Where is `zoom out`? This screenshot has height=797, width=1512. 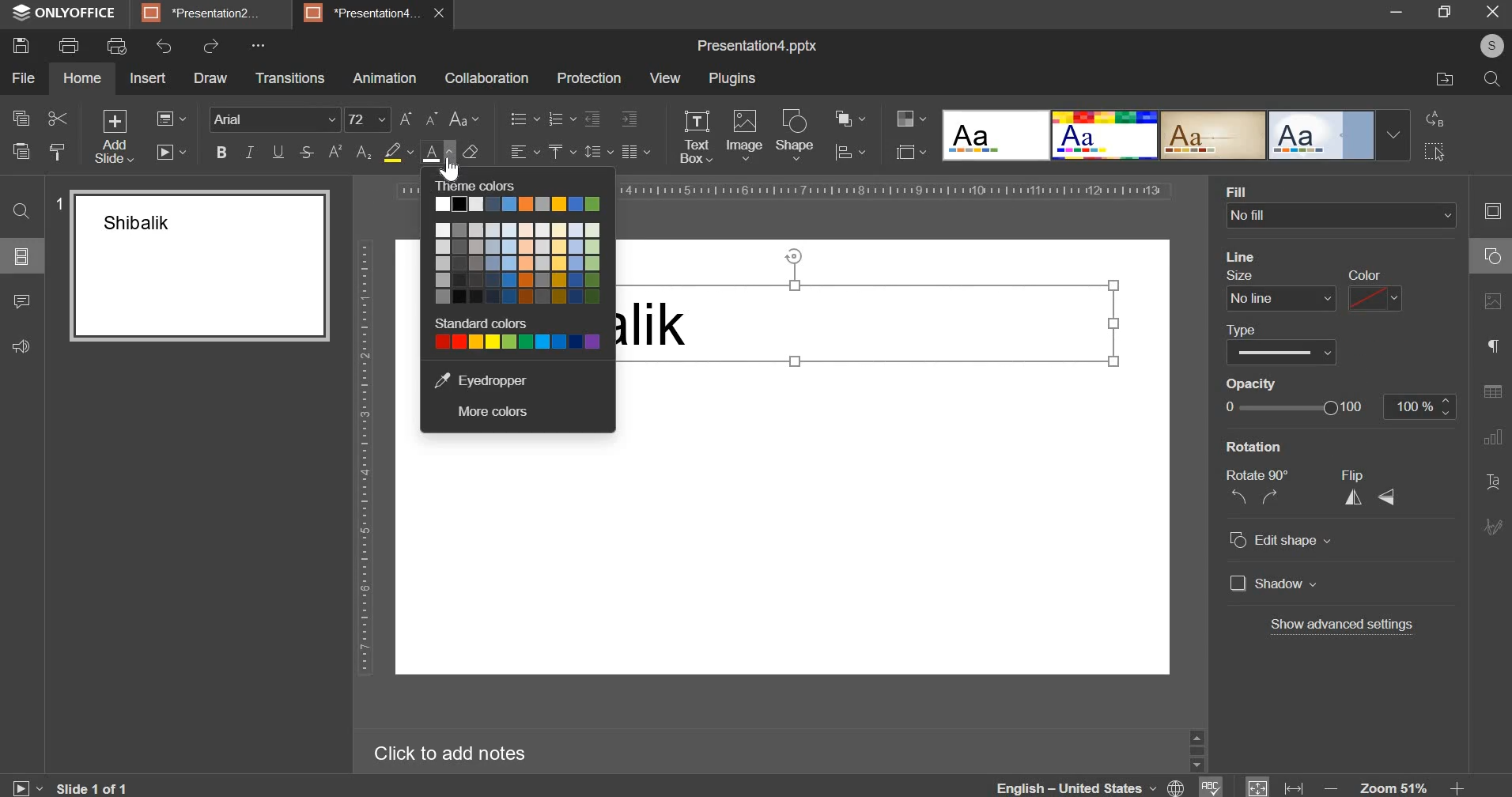 zoom out is located at coordinates (1328, 784).